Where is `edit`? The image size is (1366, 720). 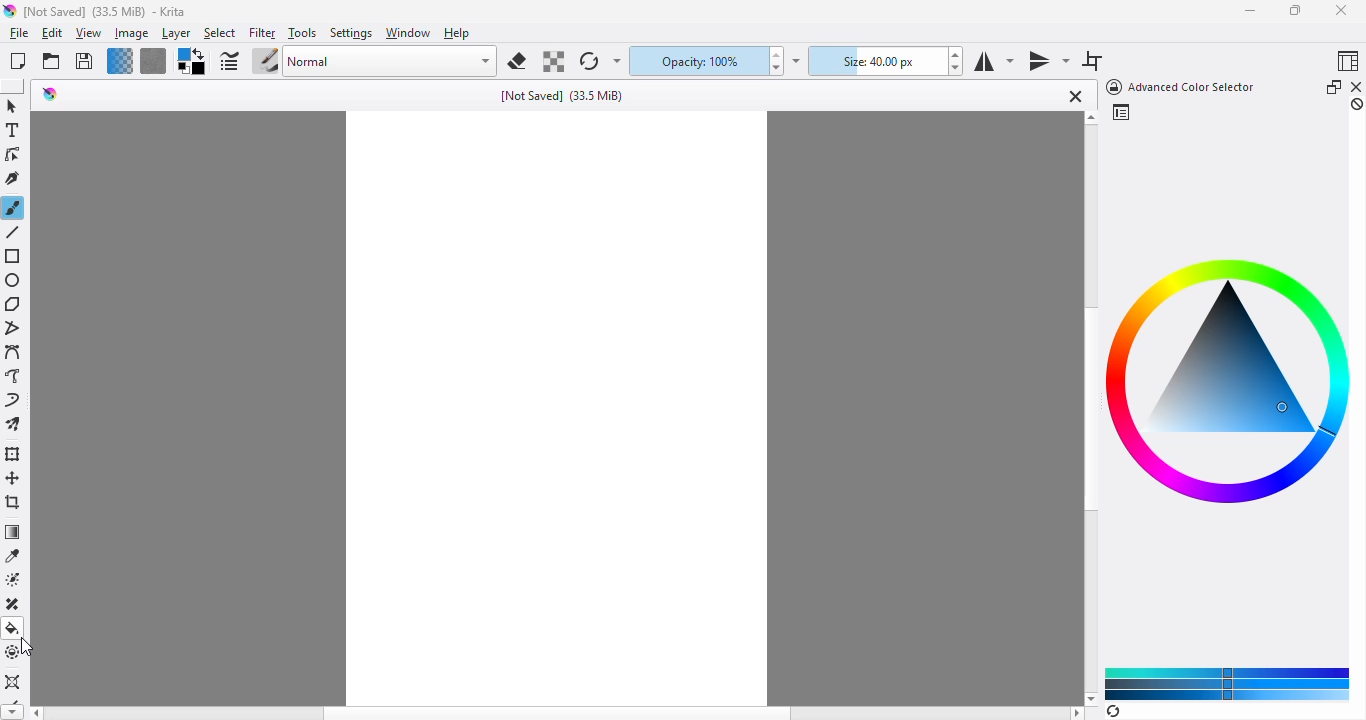
edit is located at coordinates (51, 33).